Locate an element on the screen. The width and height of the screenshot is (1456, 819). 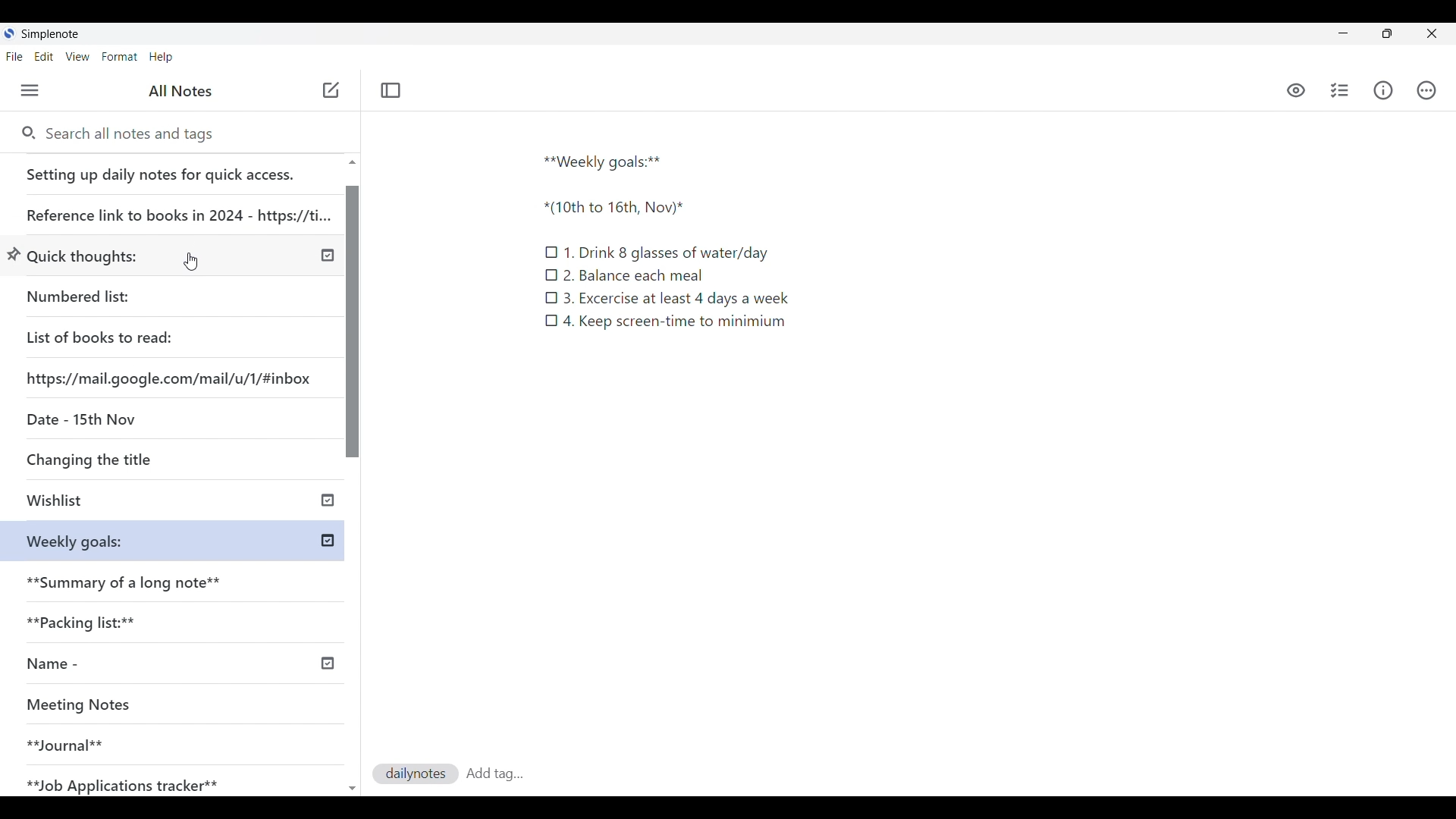
published is located at coordinates (328, 498).